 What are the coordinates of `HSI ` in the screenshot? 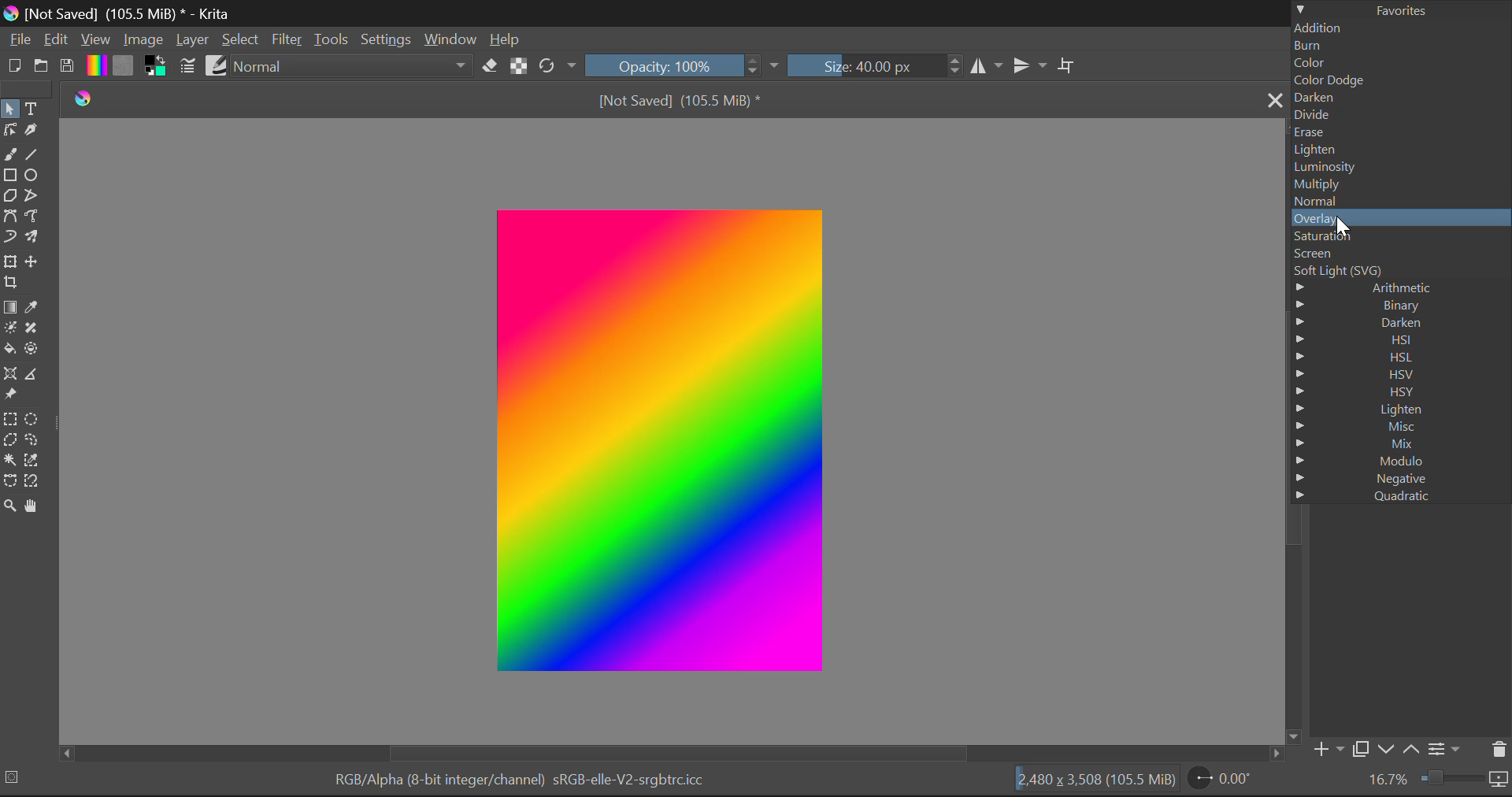 It's located at (1395, 339).